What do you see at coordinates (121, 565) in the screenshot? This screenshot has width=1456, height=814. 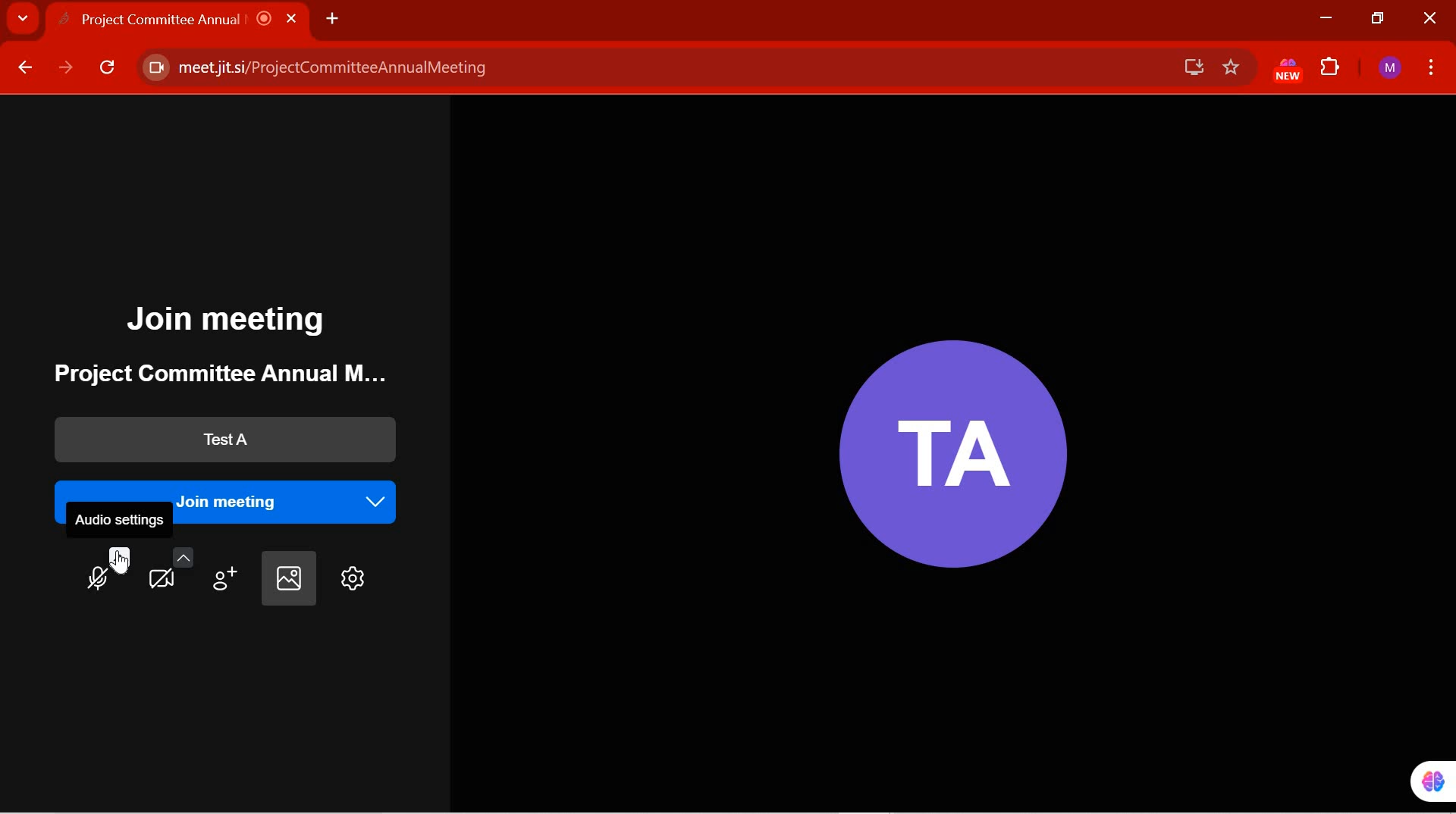 I see `cursor` at bounding box center [121, 565].